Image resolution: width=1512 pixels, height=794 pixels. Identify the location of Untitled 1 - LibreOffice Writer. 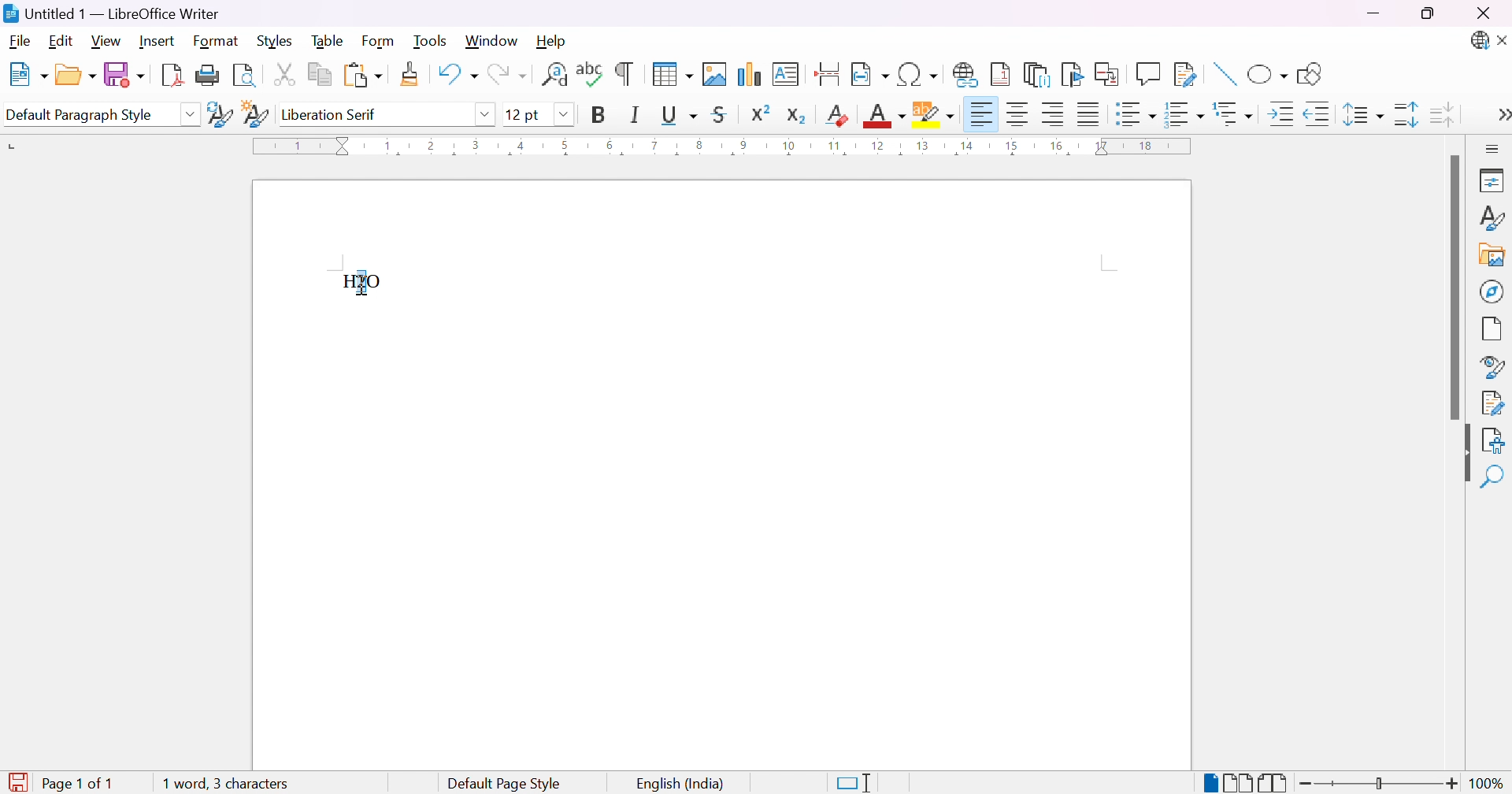
(109, 13).